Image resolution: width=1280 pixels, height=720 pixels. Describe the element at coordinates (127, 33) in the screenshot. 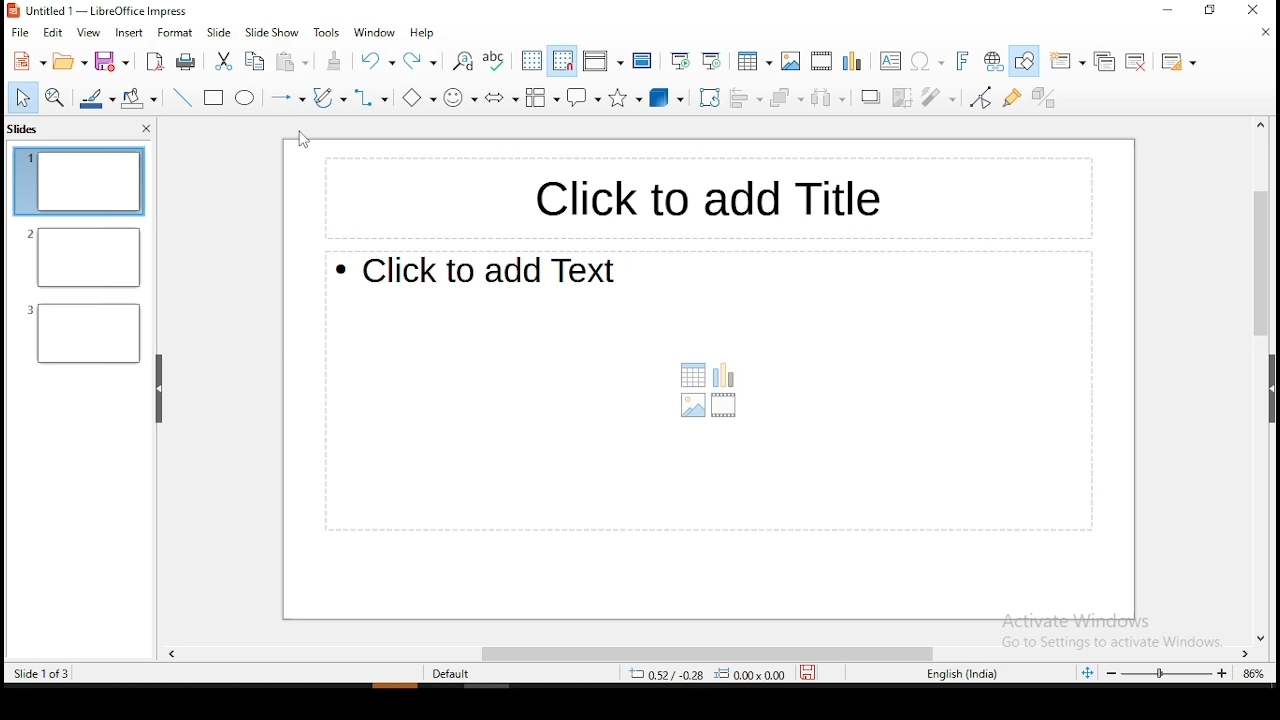

I see `insert` at that location.